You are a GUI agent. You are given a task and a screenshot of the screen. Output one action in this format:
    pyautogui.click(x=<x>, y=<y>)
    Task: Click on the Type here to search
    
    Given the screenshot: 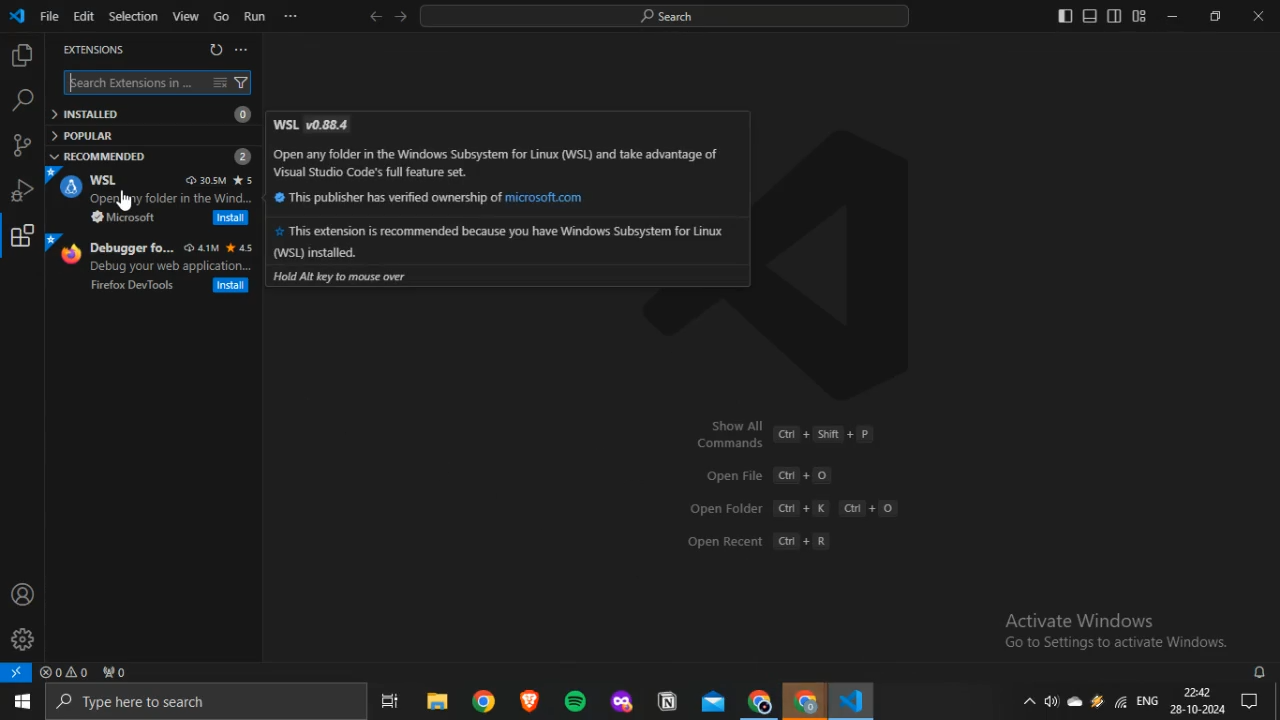 What is the action you would take?
    pyautogui.click(x=205, y=702)
    